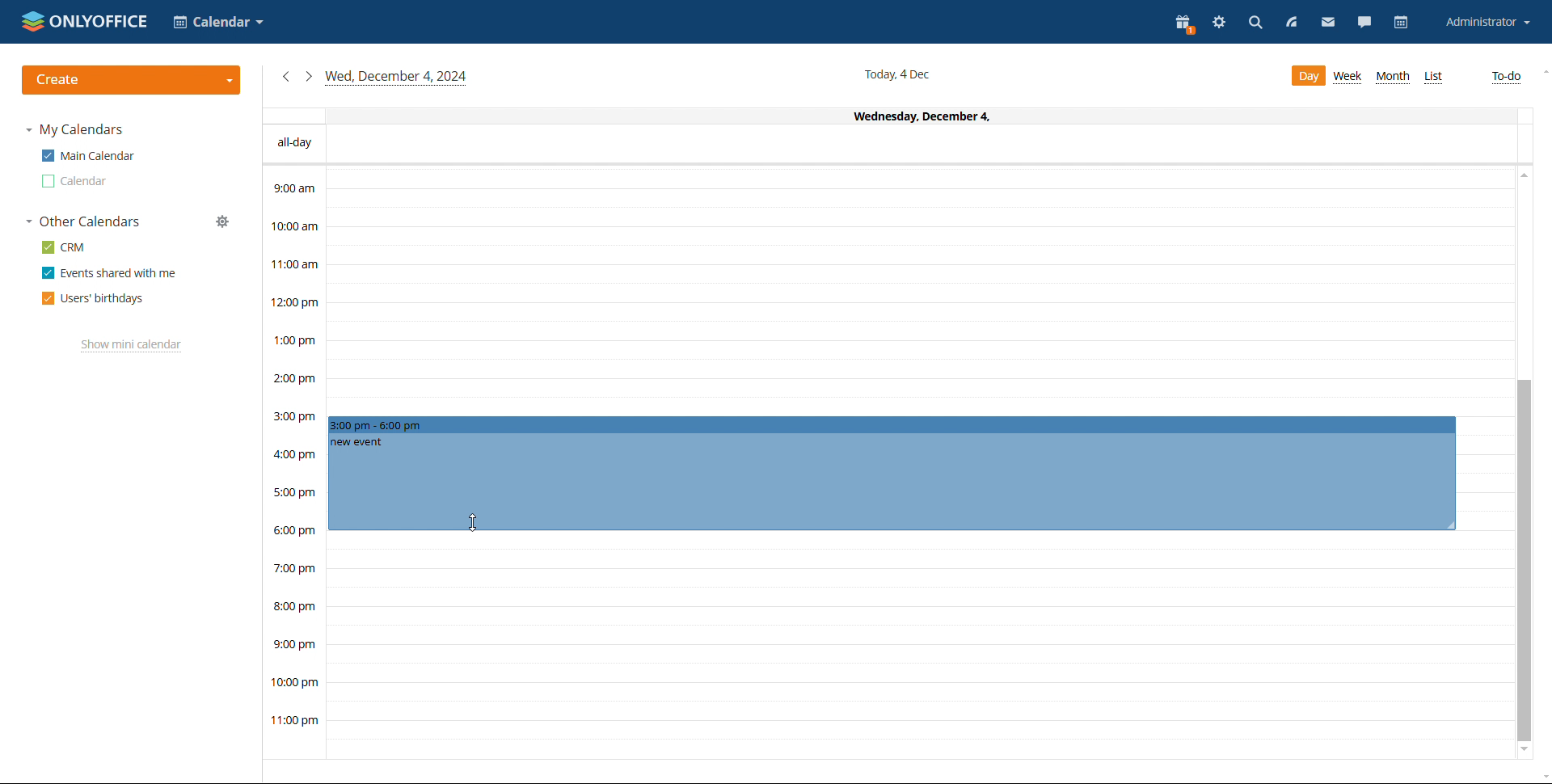 This screenshot has width=1552, height=784. What do you see at coordinates (84, 221) in the screenshot?
I see `calendars` at bounding box center [84, 221].